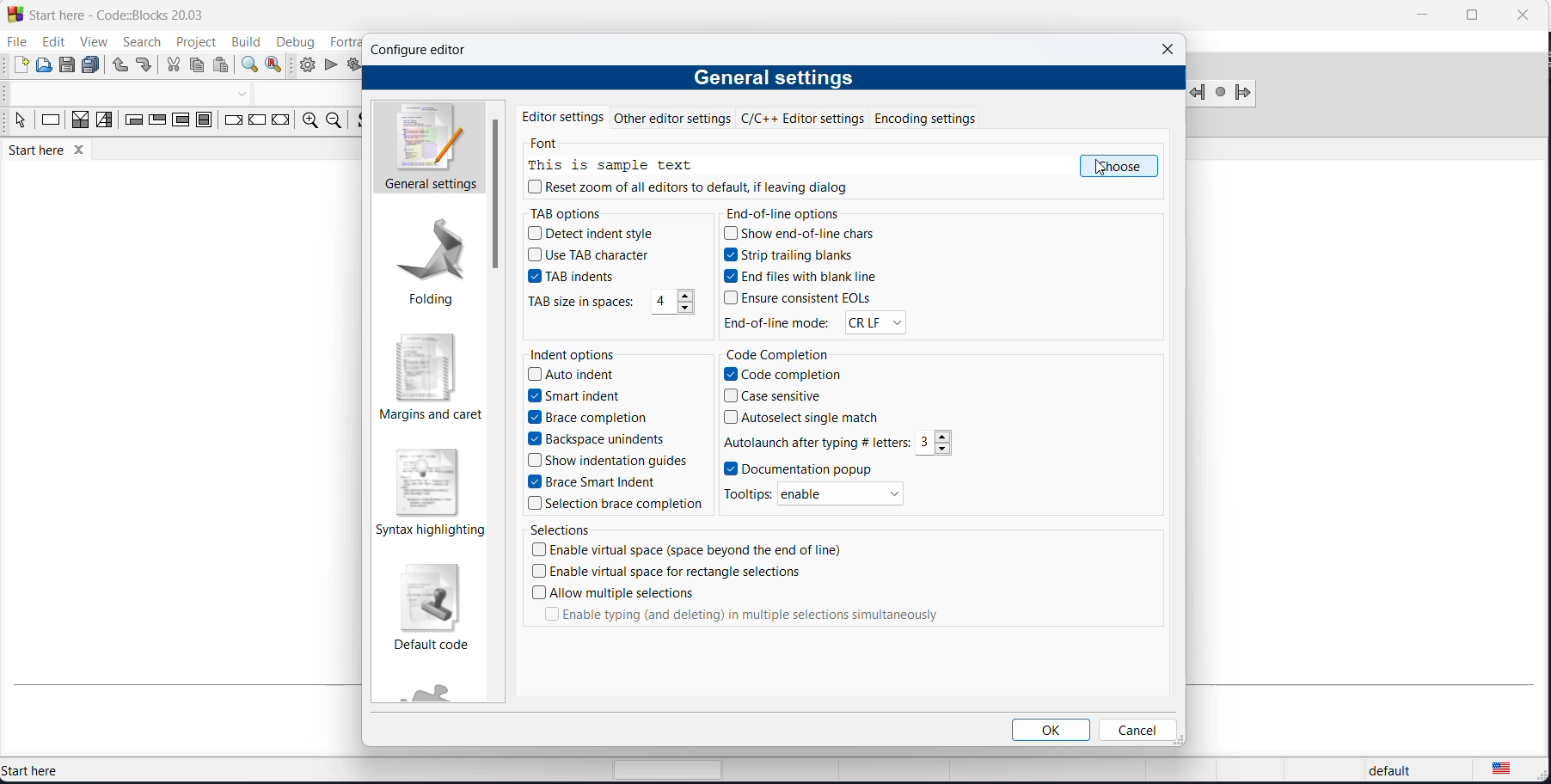 This screenshot has height=784, width=1551. What do you see at coordinates (294, 39) in the screenshot?
I see `debug` at bounding box center [294, 39].